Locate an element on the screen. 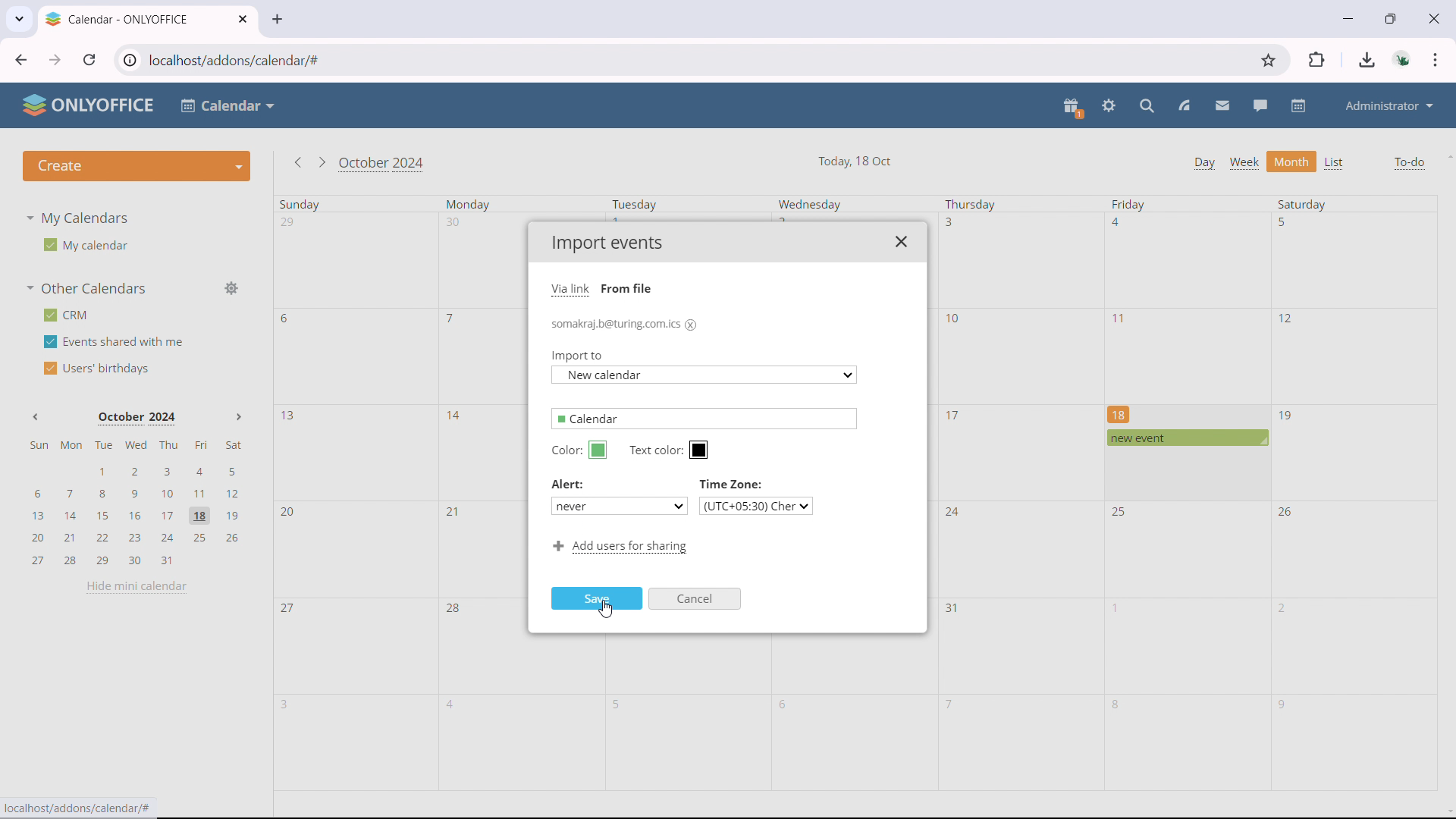 The image size is (1456, 819). 28 is located at coordinates (454, 610).